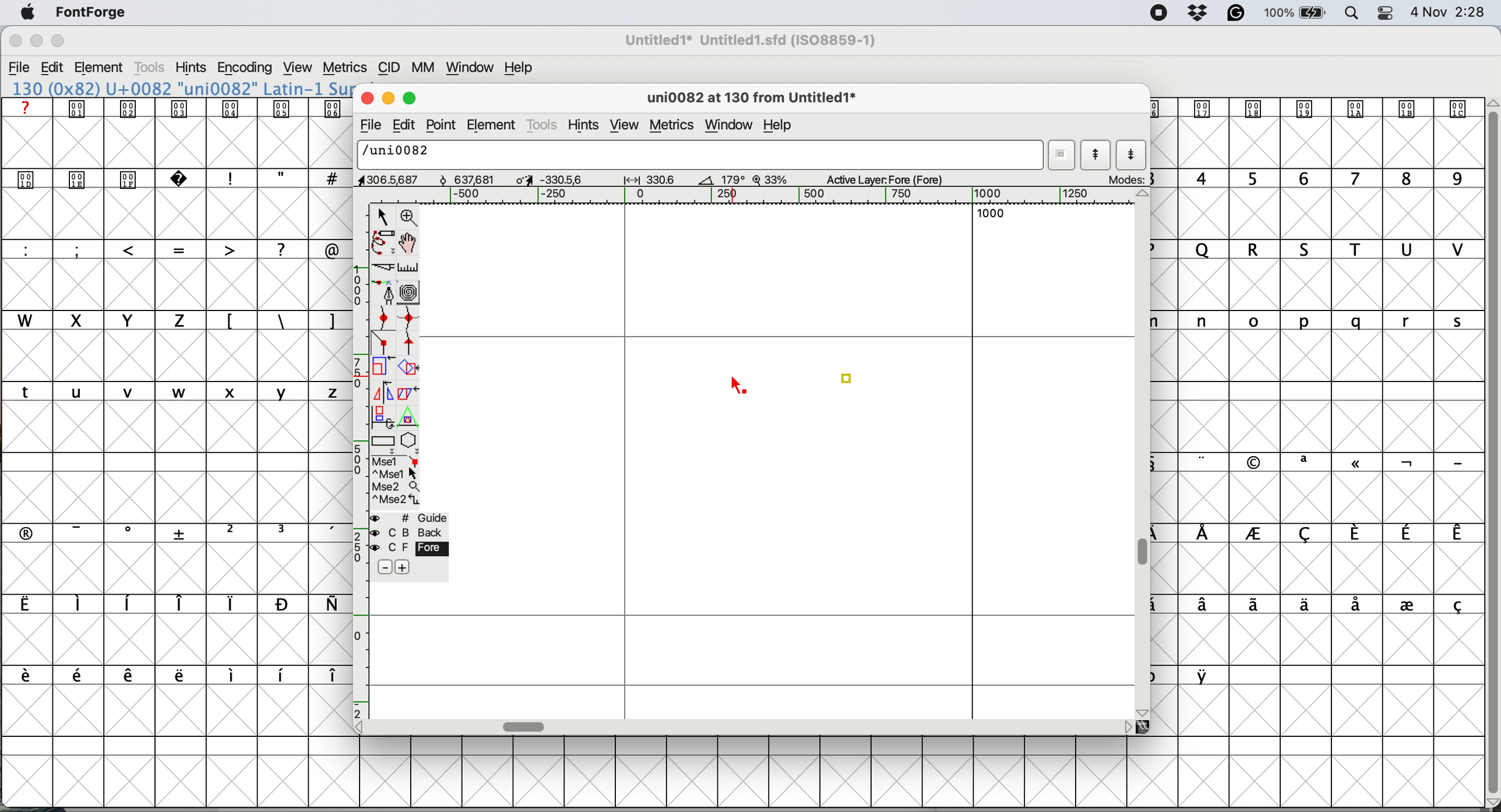 The image size is (1501, 812). Describe the element at coordinates (185, 180) in the screenshot. I see `symbols and special characters` at that location.